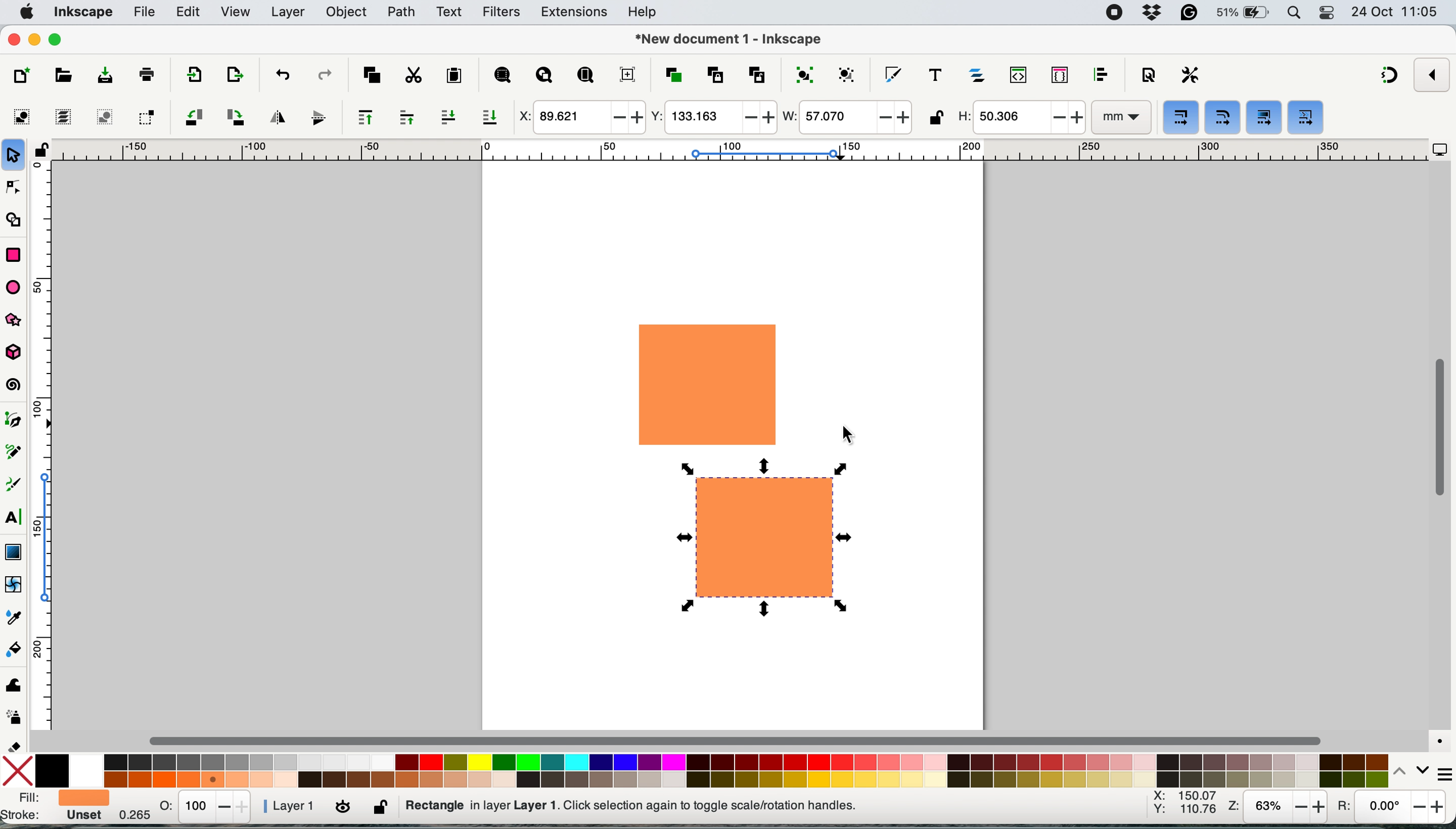 This screenshot has height=829, width=1456. Describe the element at coordinates (713, 769) in the screenshot. I see `color palatte` at that location.